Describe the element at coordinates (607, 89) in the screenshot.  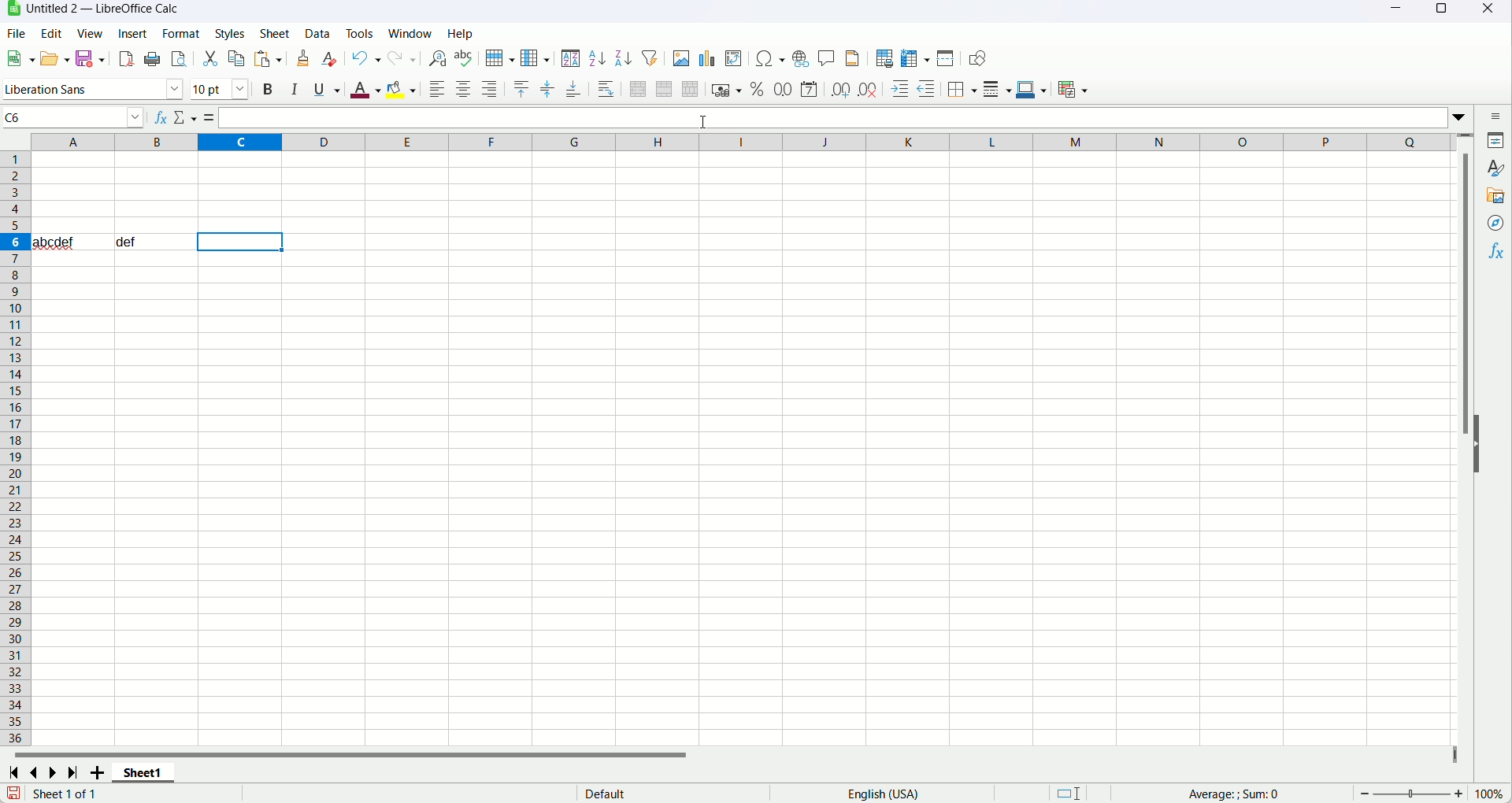
I see `wrap text` at that location.